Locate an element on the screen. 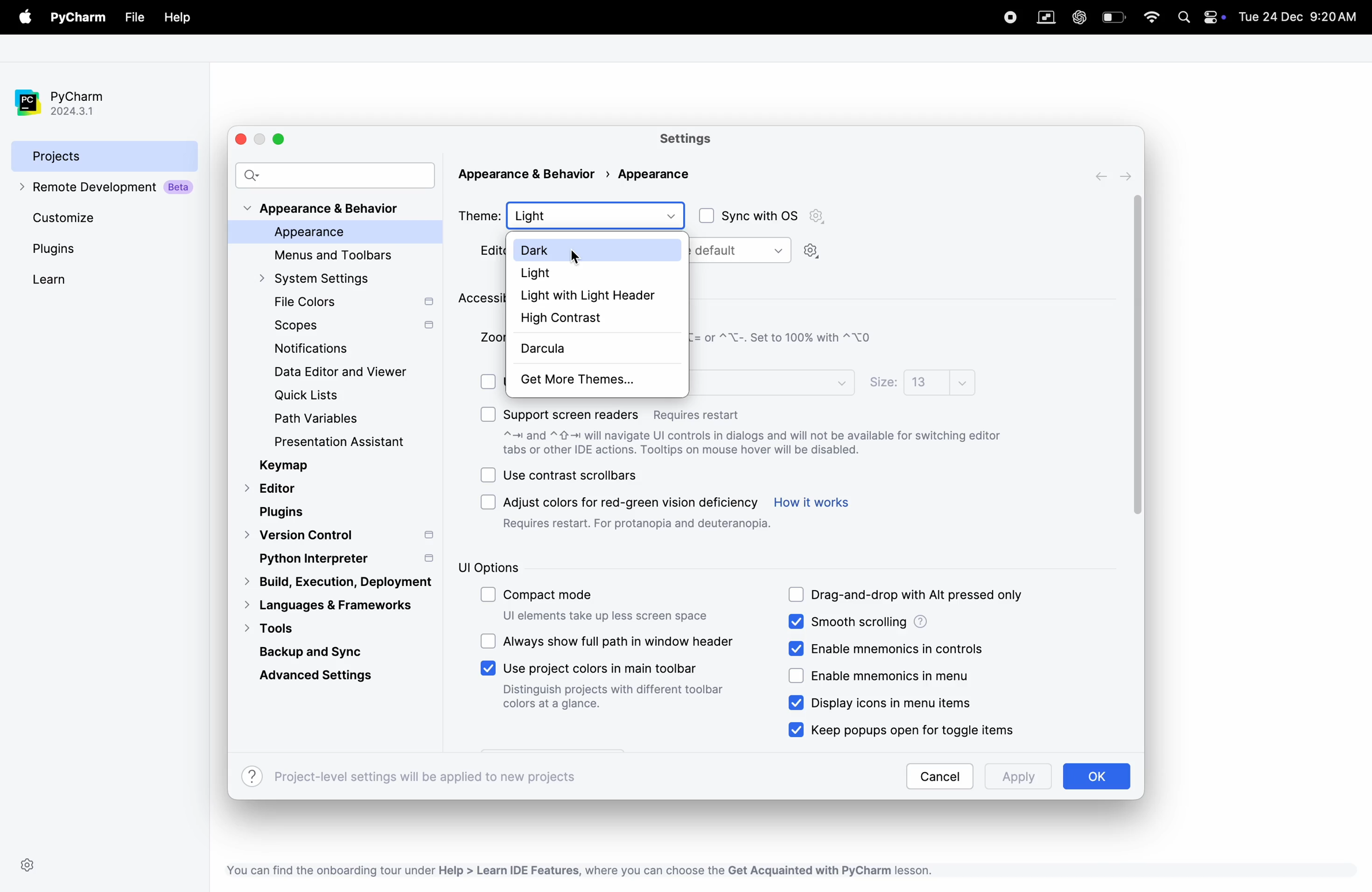 The height and width of the screenshot is (892, 1372). keep poppup for toggle items is located at coordinates (924, 728).